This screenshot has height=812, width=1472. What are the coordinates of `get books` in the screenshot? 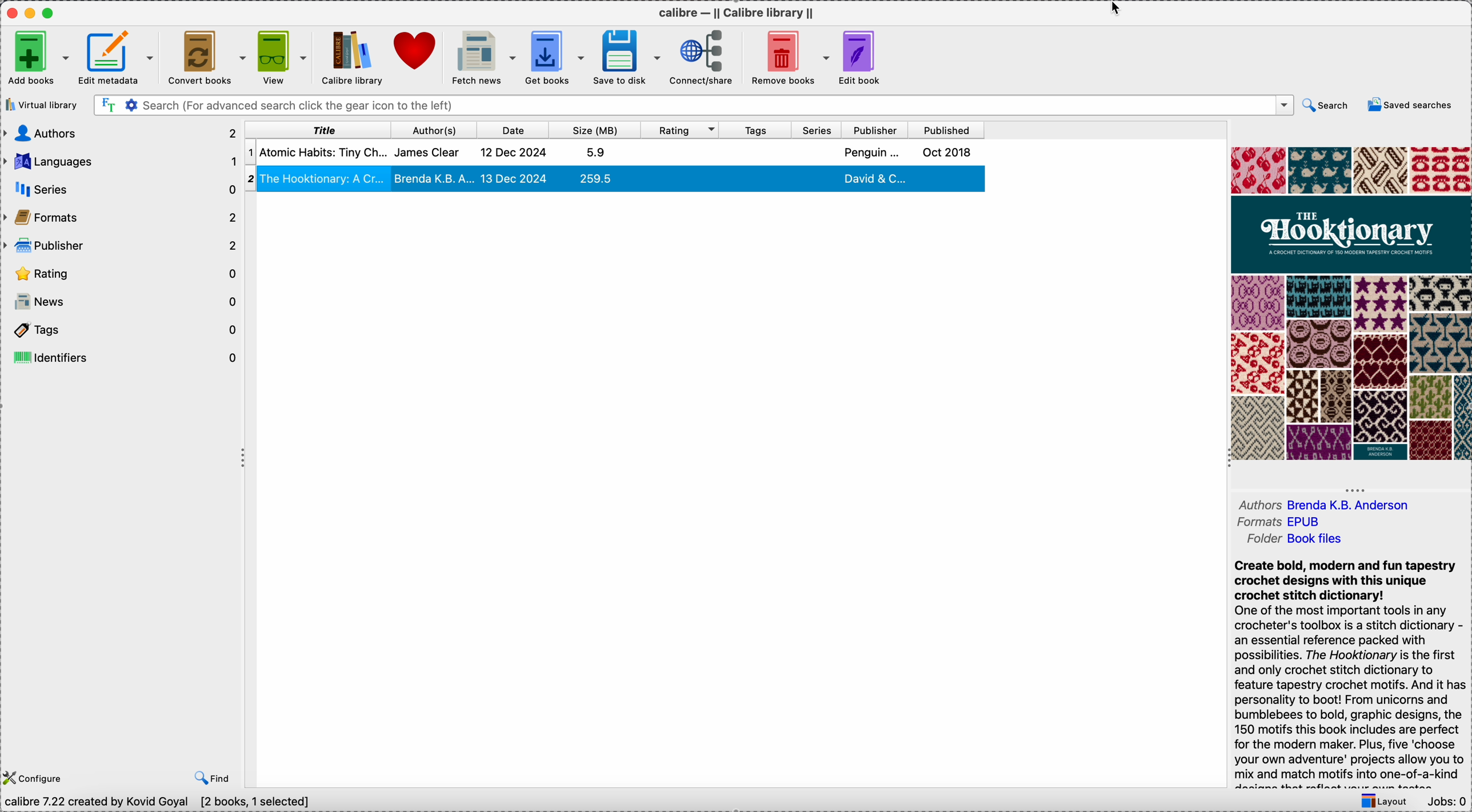 It's located at (559, 56).